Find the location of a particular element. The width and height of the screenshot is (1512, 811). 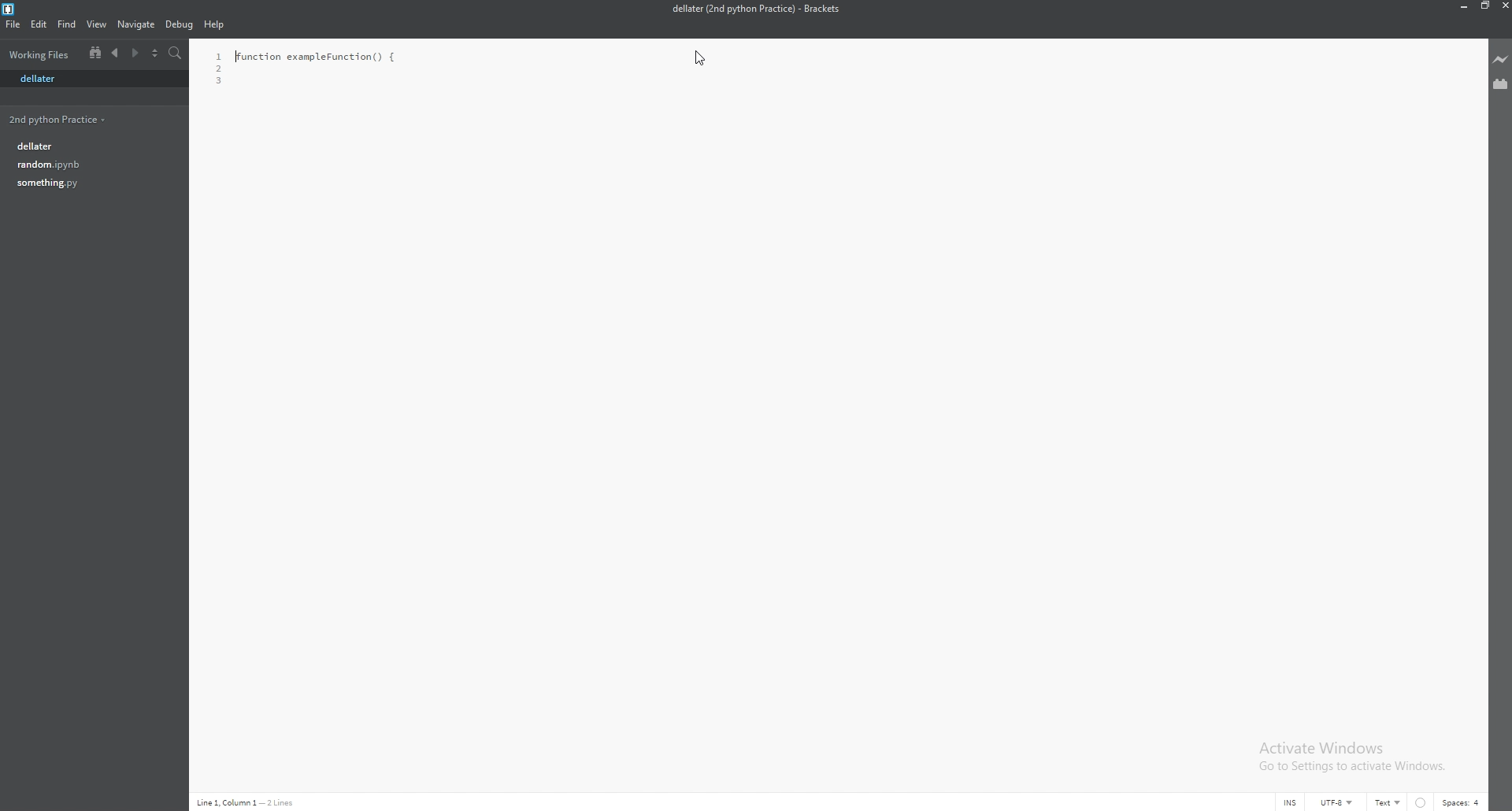

something.py is located at coordinates (90, 183).